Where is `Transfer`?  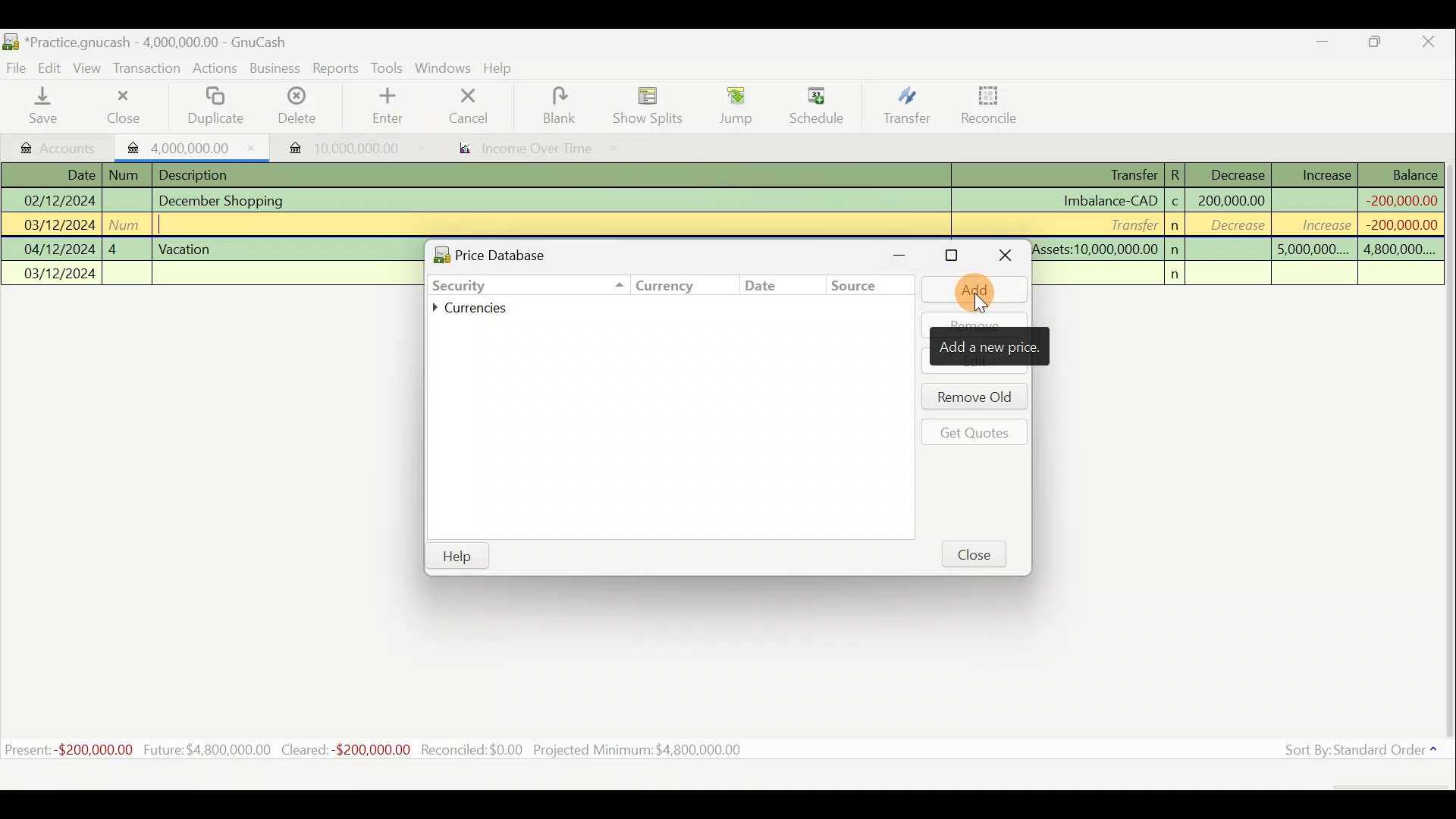 Transfer is located at coordinates (904, 108).